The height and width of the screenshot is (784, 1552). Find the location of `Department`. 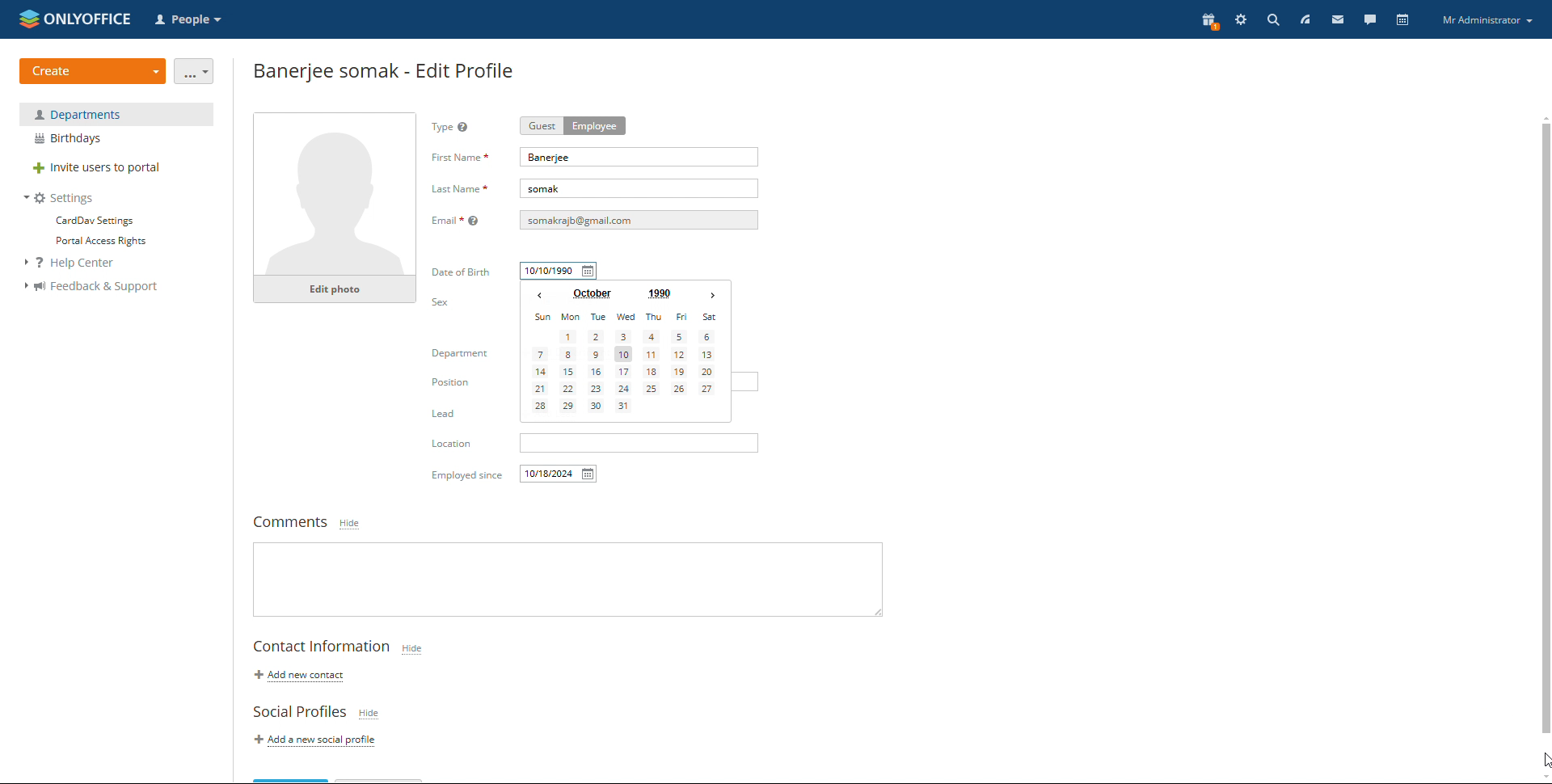

Department is located at coordinates (457, 355).